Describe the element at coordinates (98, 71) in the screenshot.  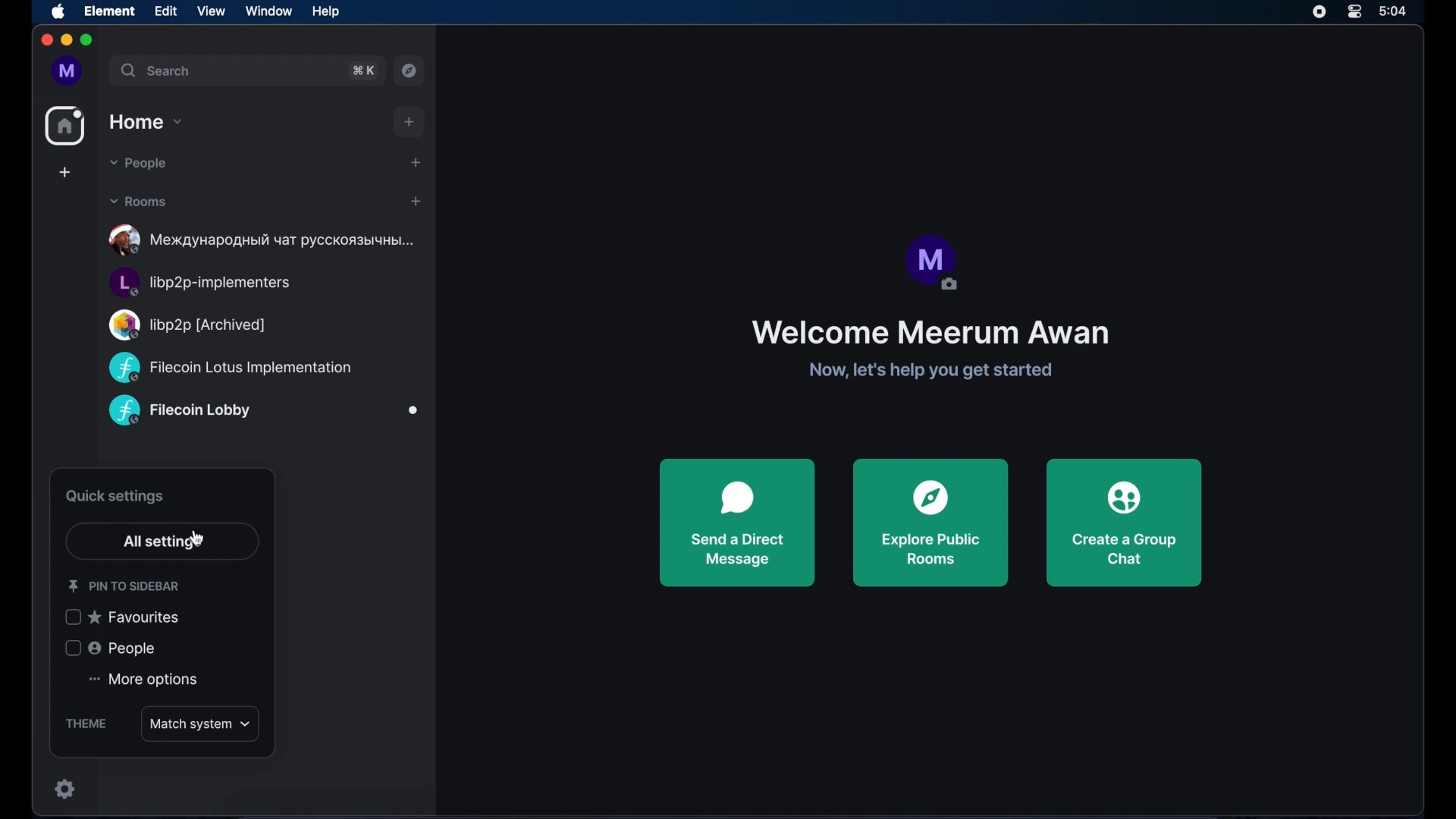
I see `expand` at that location.